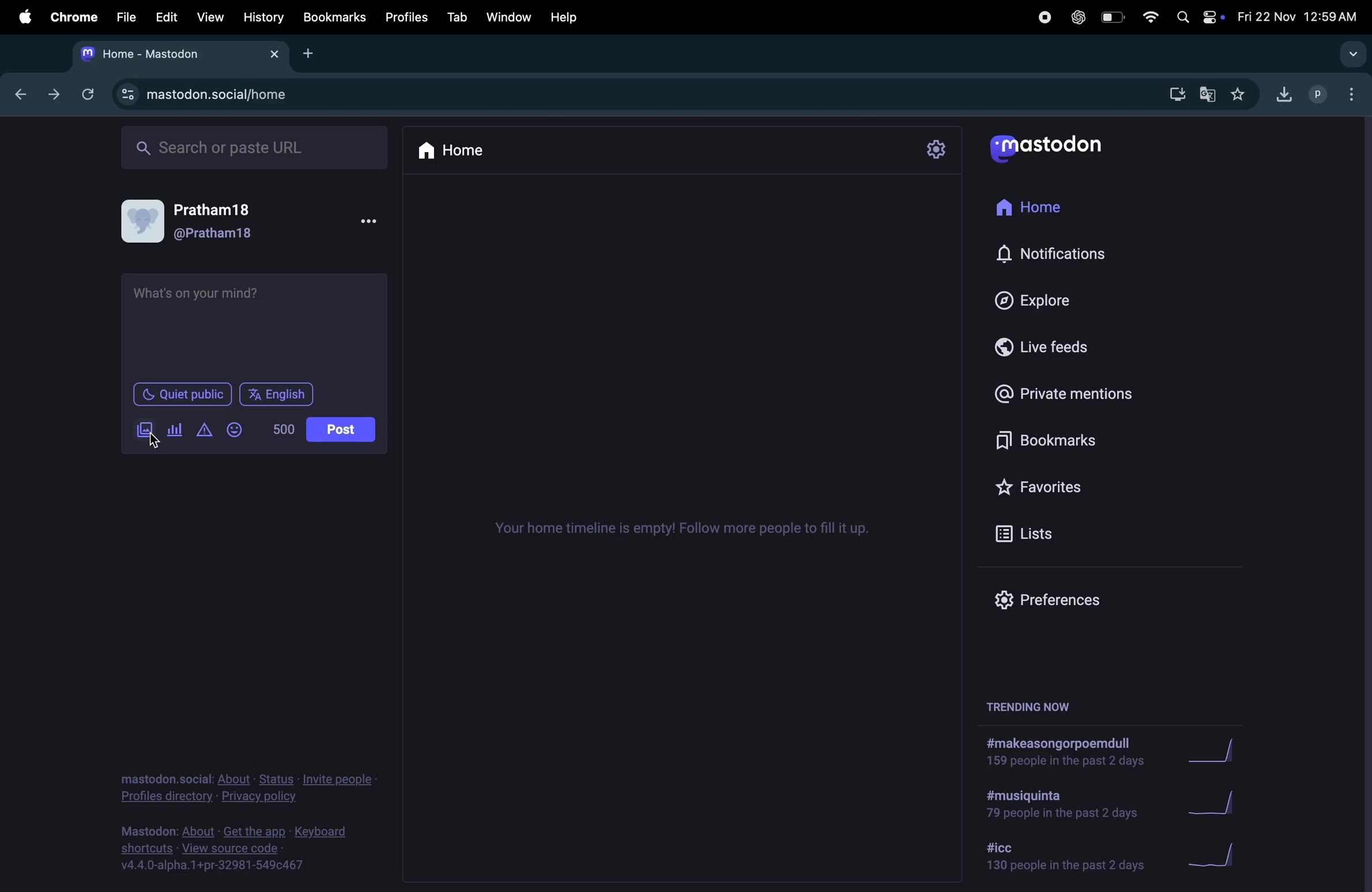 The image size is (1372, 892). What do you see at coordinates (1213, 852) in the screenshot?
I see `graphs` at bounding box center [1213, 852].